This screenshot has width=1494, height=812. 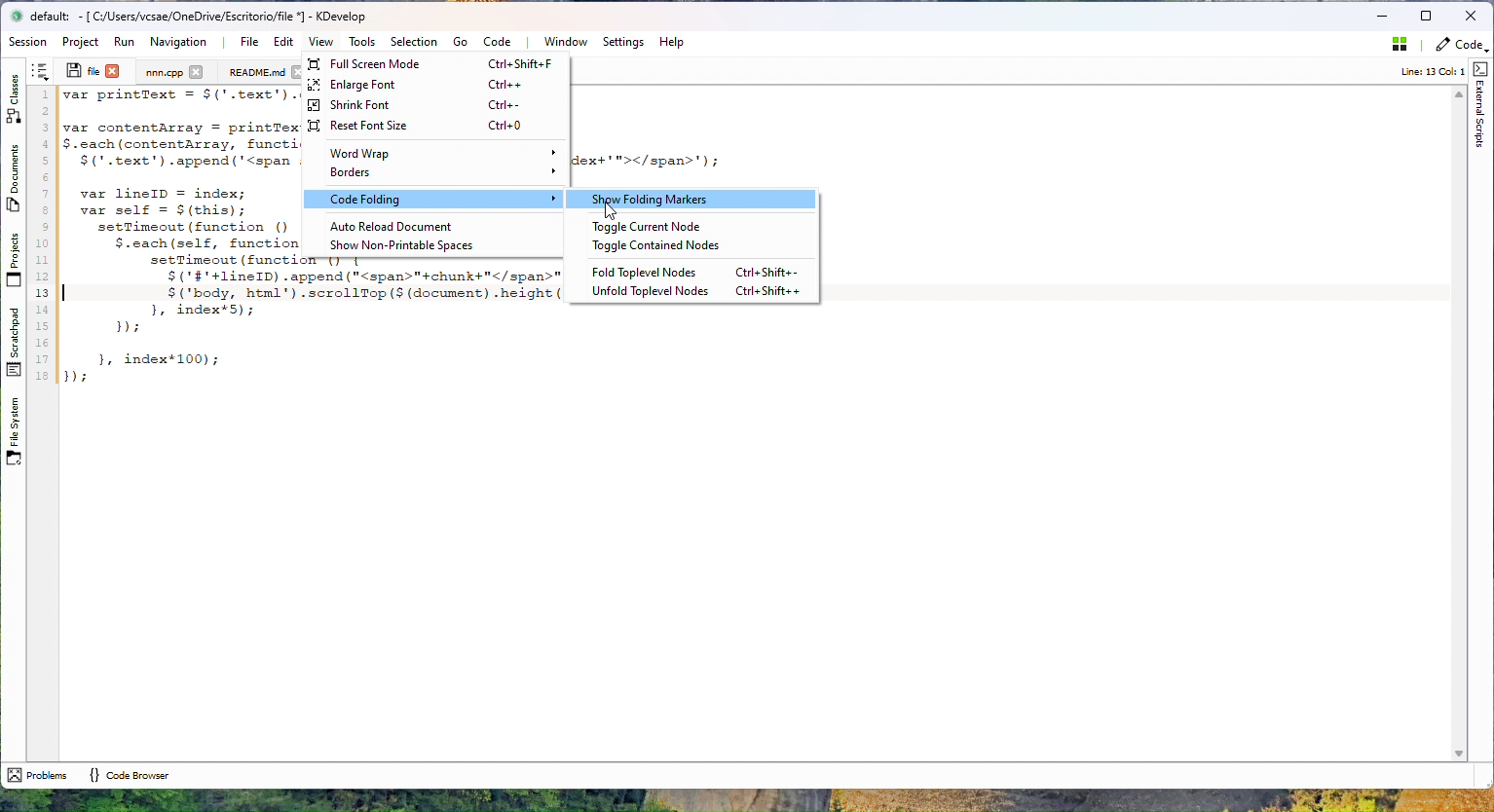 What do you see at coordinates (256, 72) in the screenshot?
I see `Document` at bounding box center [256, 72].